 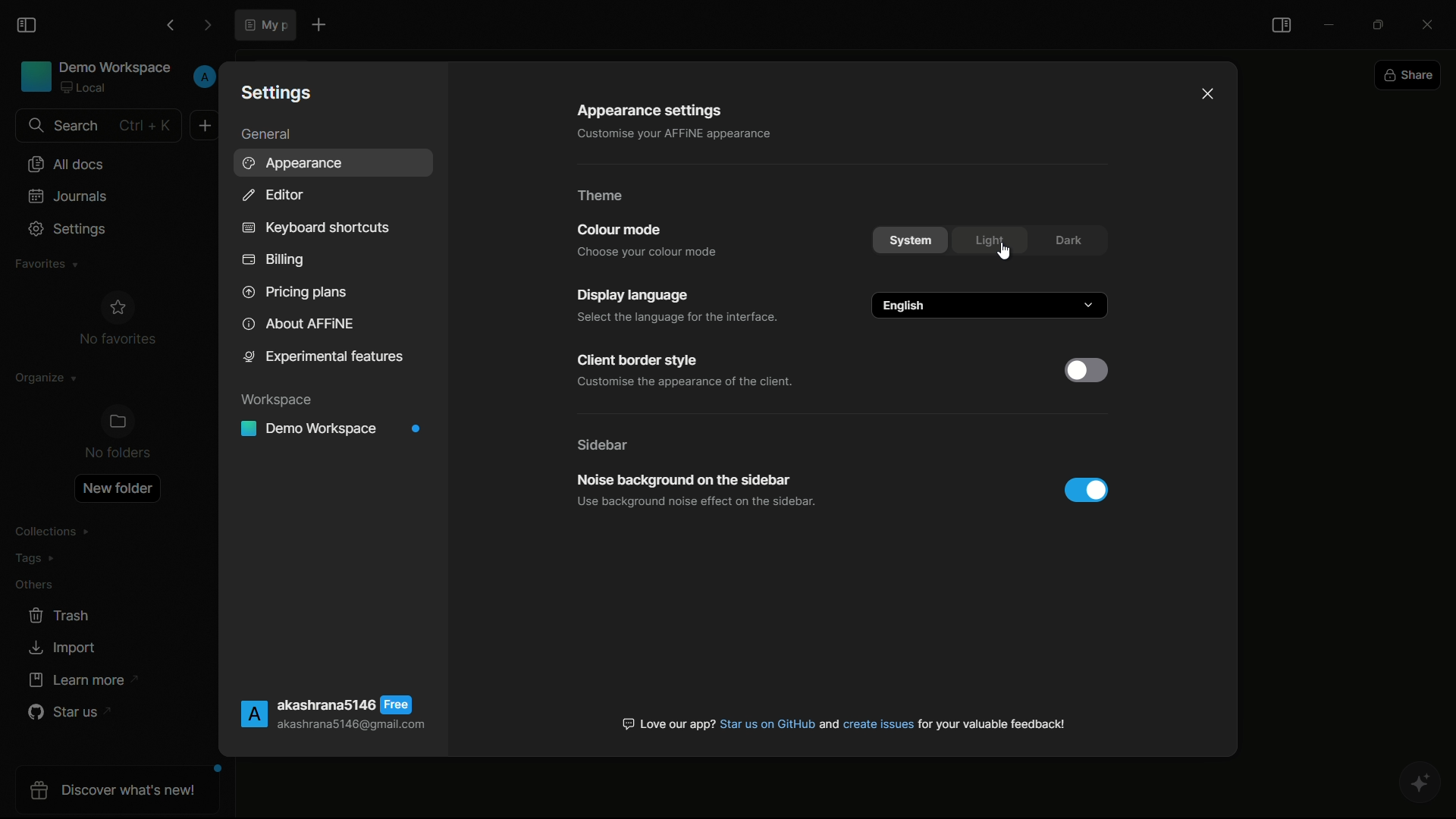 What do you see at coordinates (28, 26) in the screenshot?
I see `toggle sidebar` at bounding box center [28, 26].